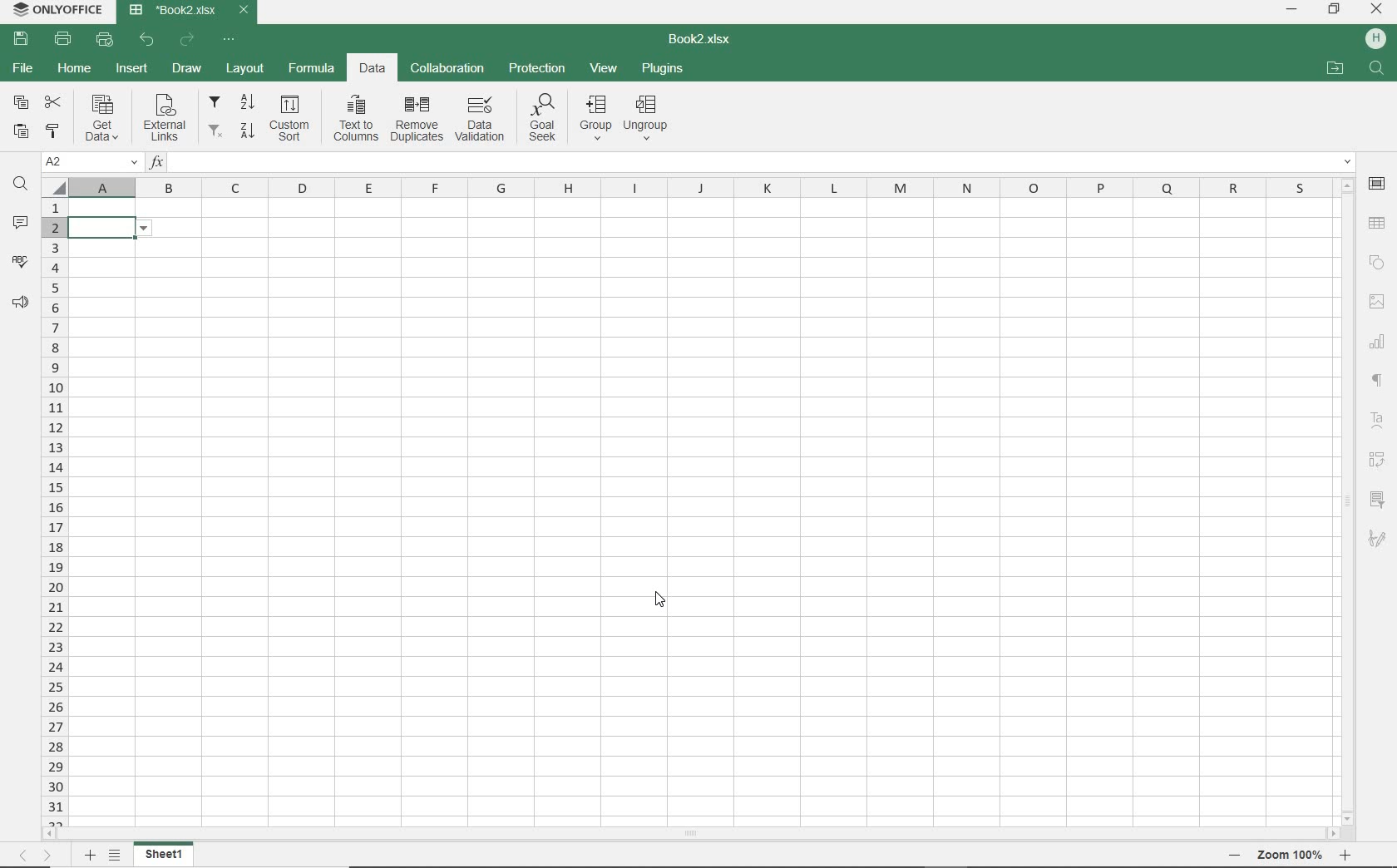 This screenshot has height=868, width=1397. What do you see at coordinates (250, 103) in the screenshot?
I see `sort ascending` at bounding box center [250, 103].